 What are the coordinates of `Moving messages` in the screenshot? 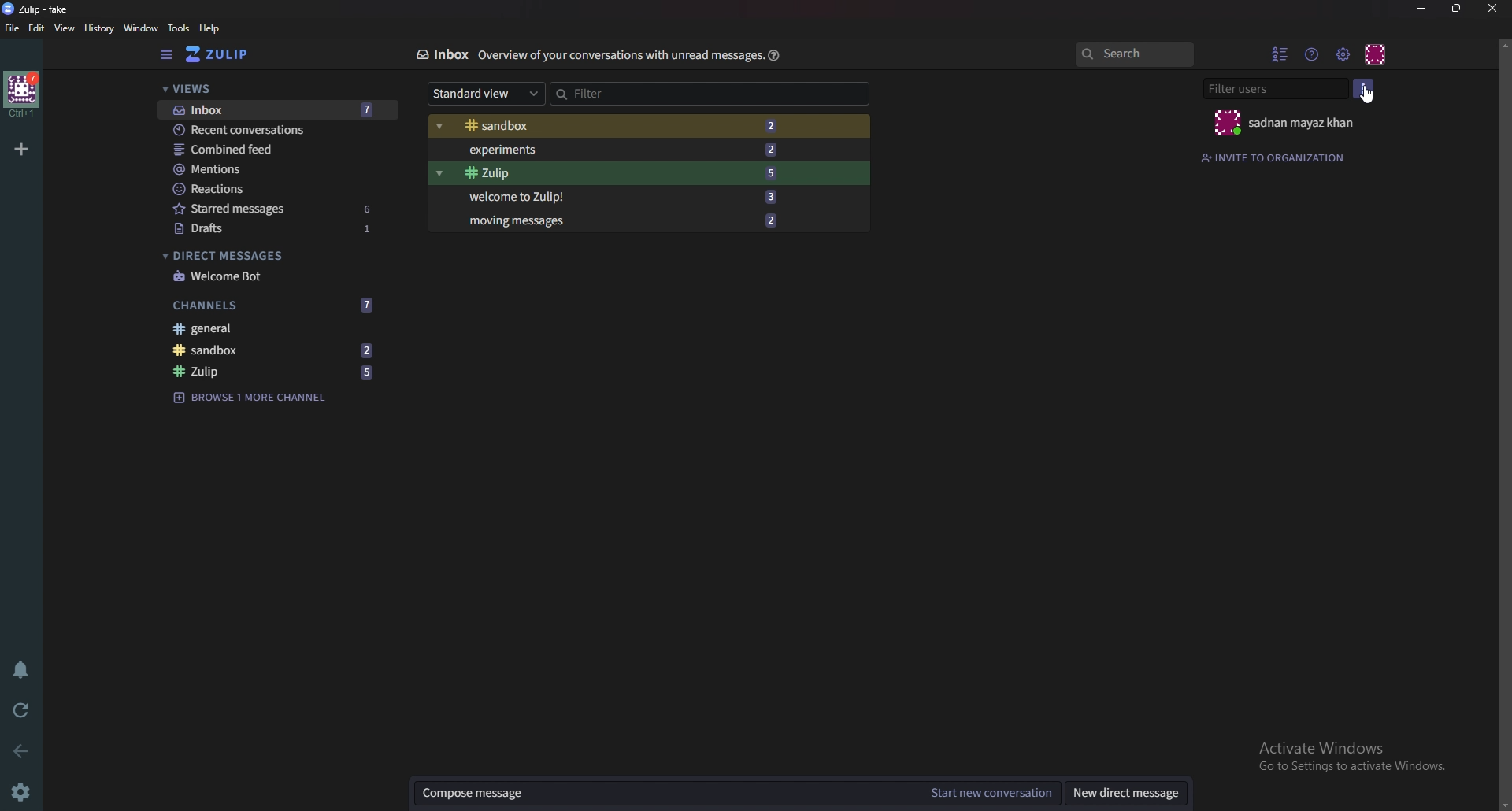 It's located at (636, 220).